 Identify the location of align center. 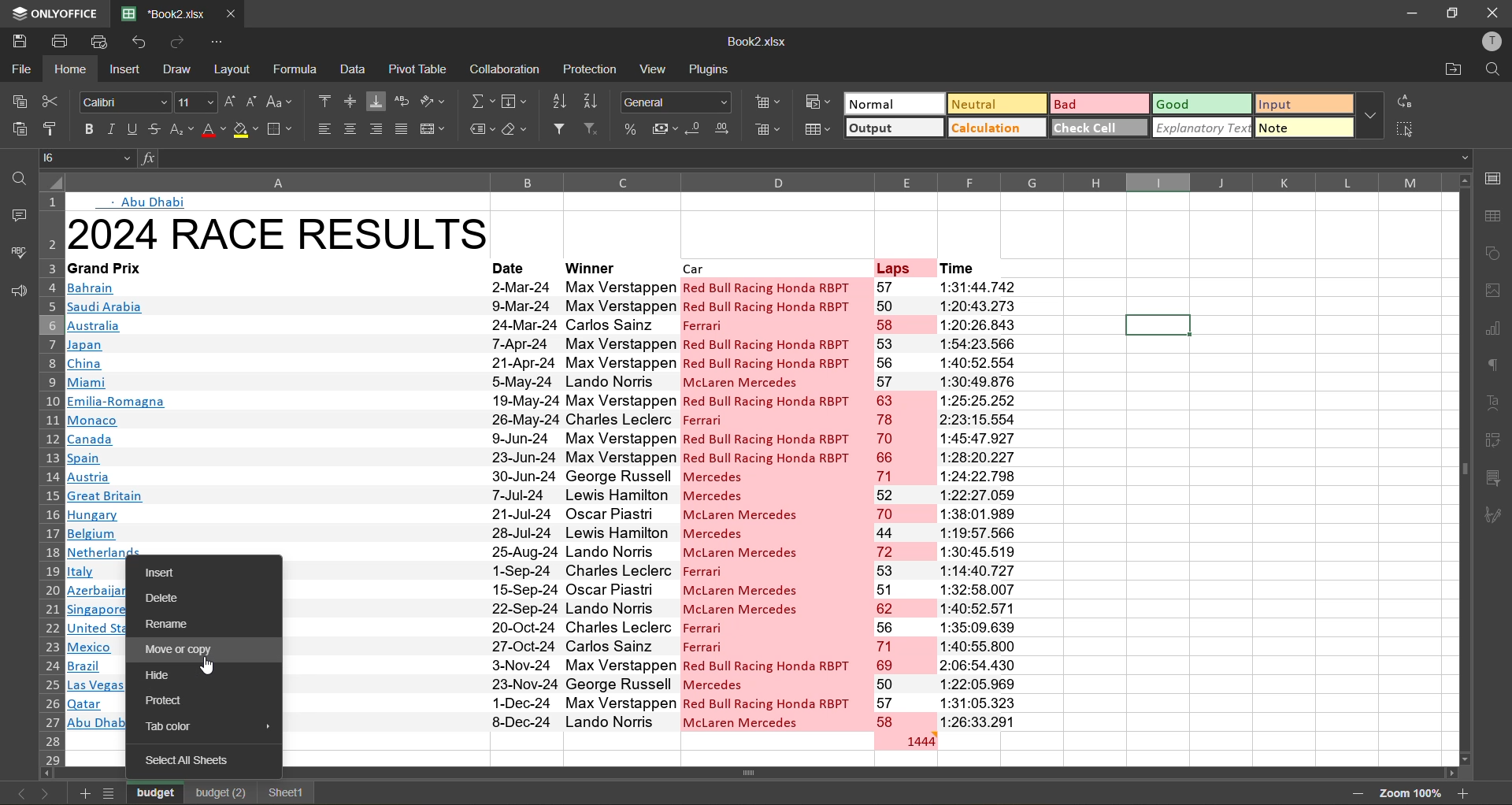
(350, 129).